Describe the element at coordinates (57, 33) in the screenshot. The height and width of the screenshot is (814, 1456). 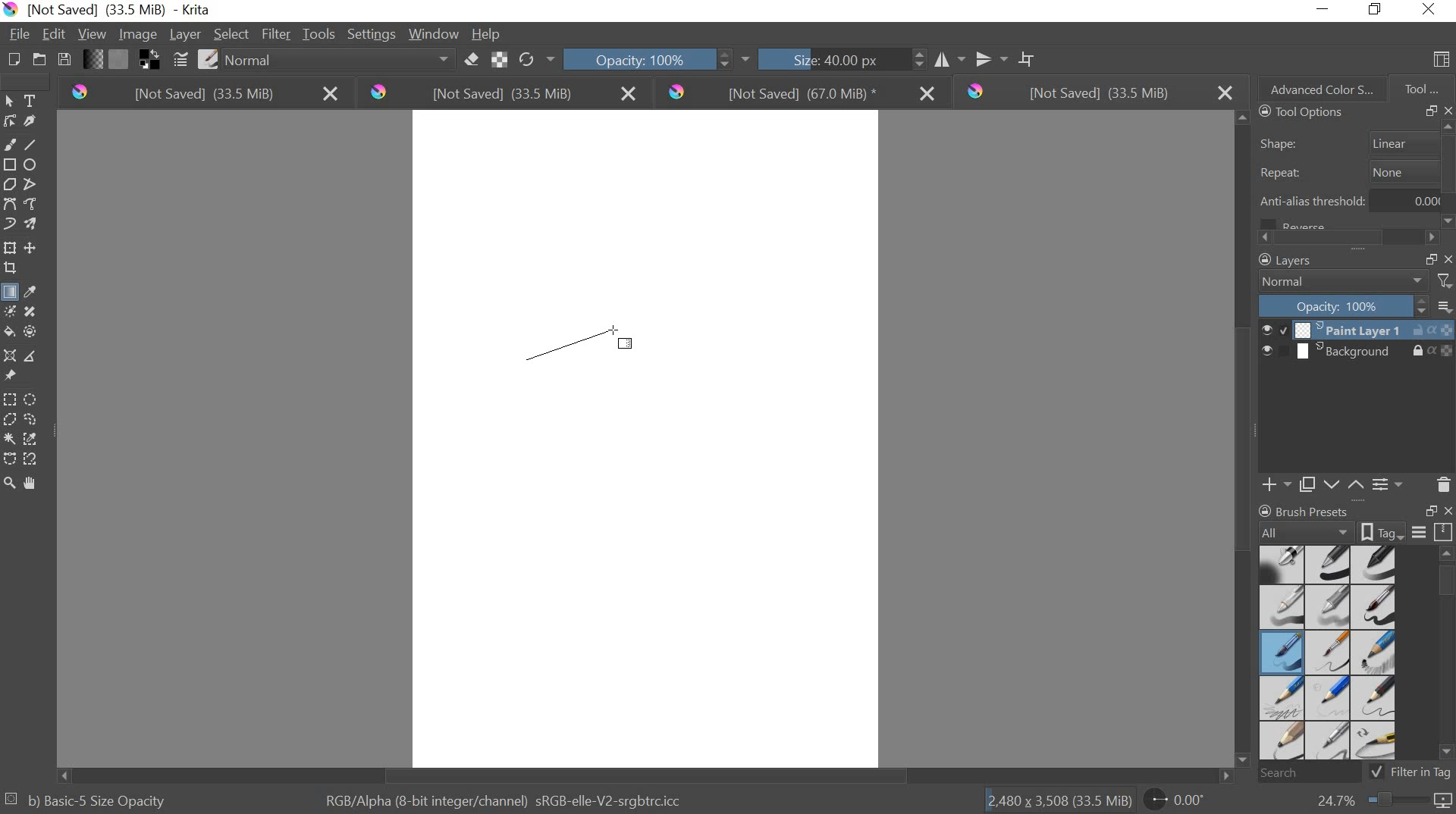
I see `EDIT` at that location.